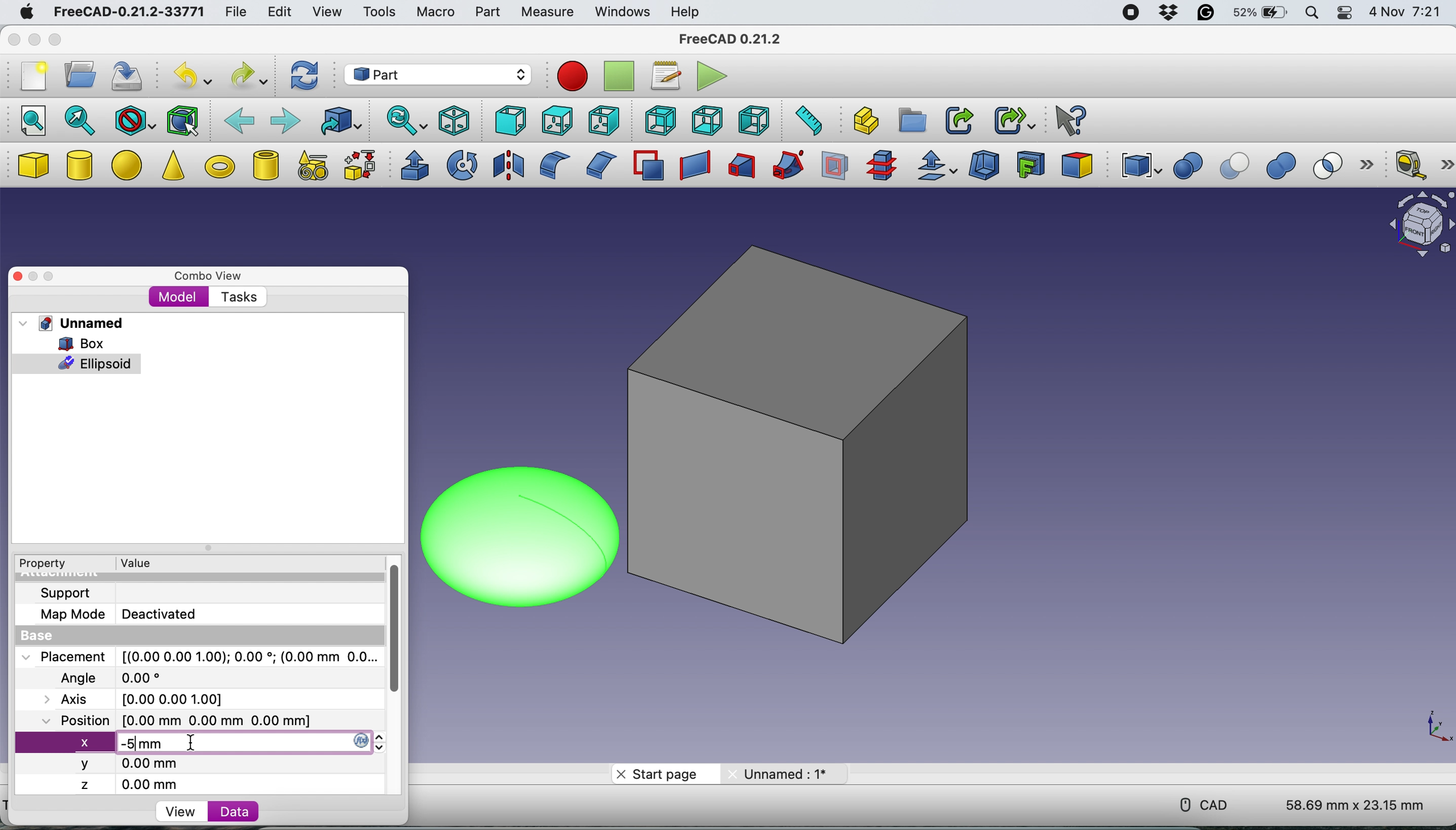  I want to click on unnamed, so click(71, 323).